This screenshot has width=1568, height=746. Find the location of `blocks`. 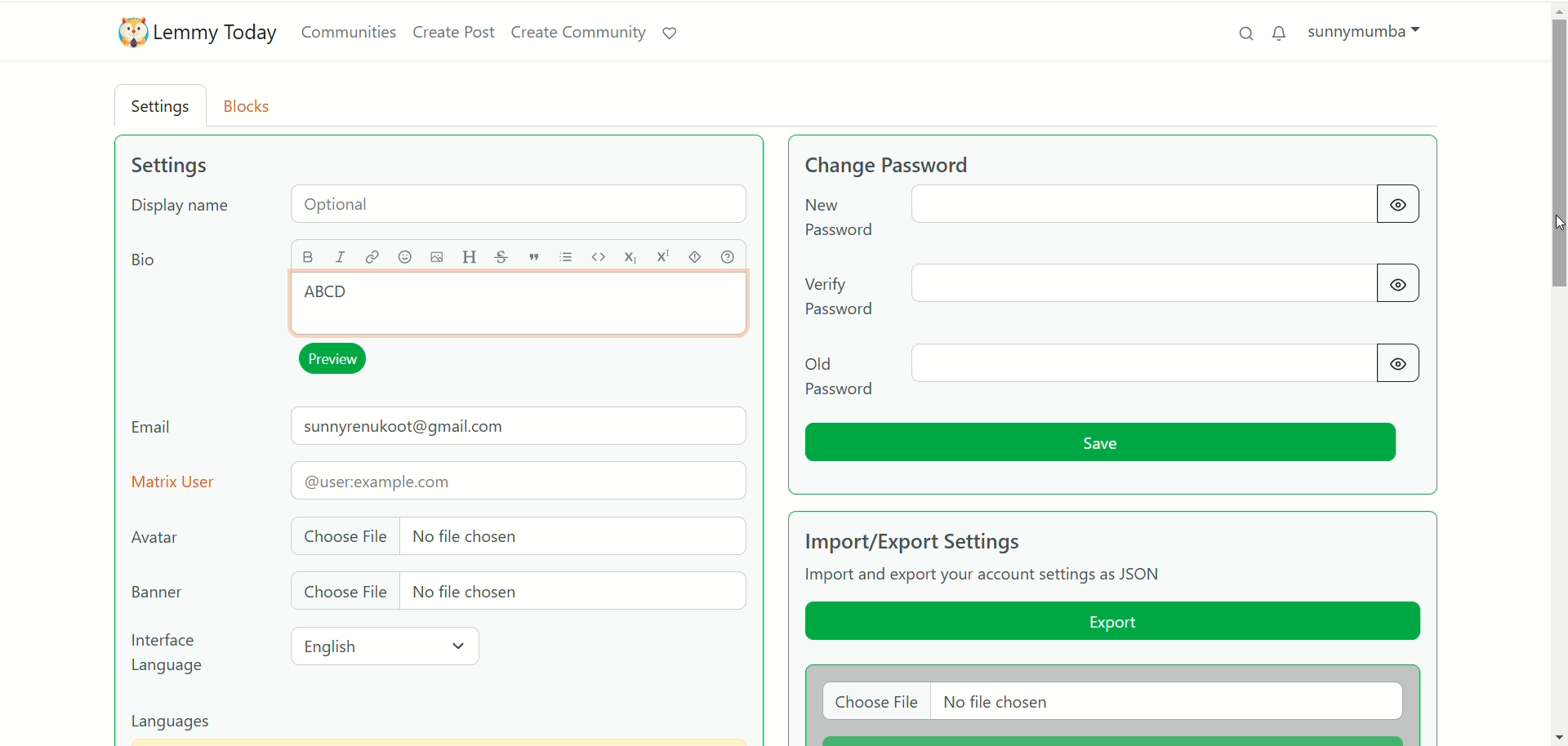

blocks is located at coordinates (252, 104).